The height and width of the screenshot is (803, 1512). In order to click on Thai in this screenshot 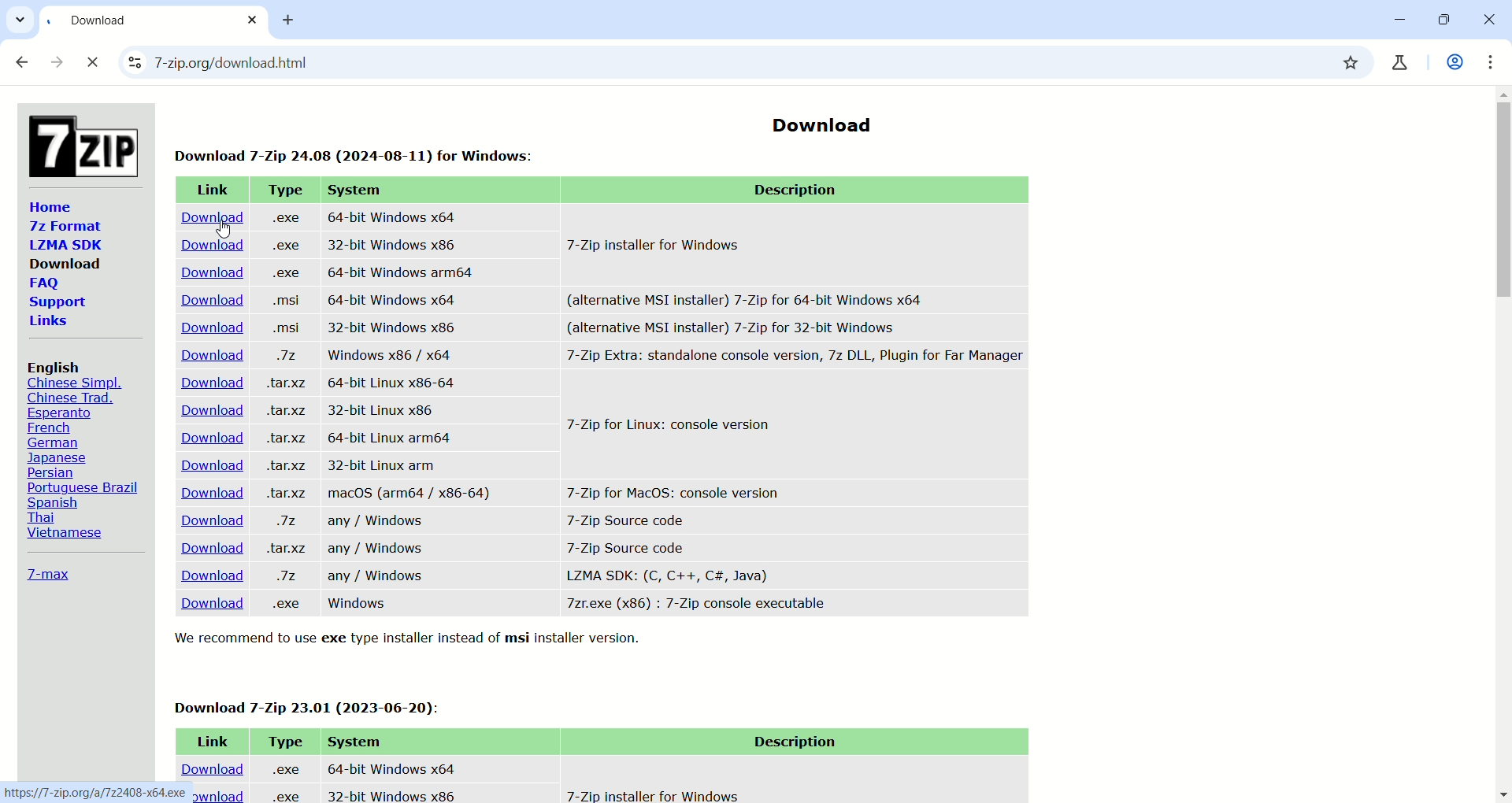, I will do `click(41, 516)`.